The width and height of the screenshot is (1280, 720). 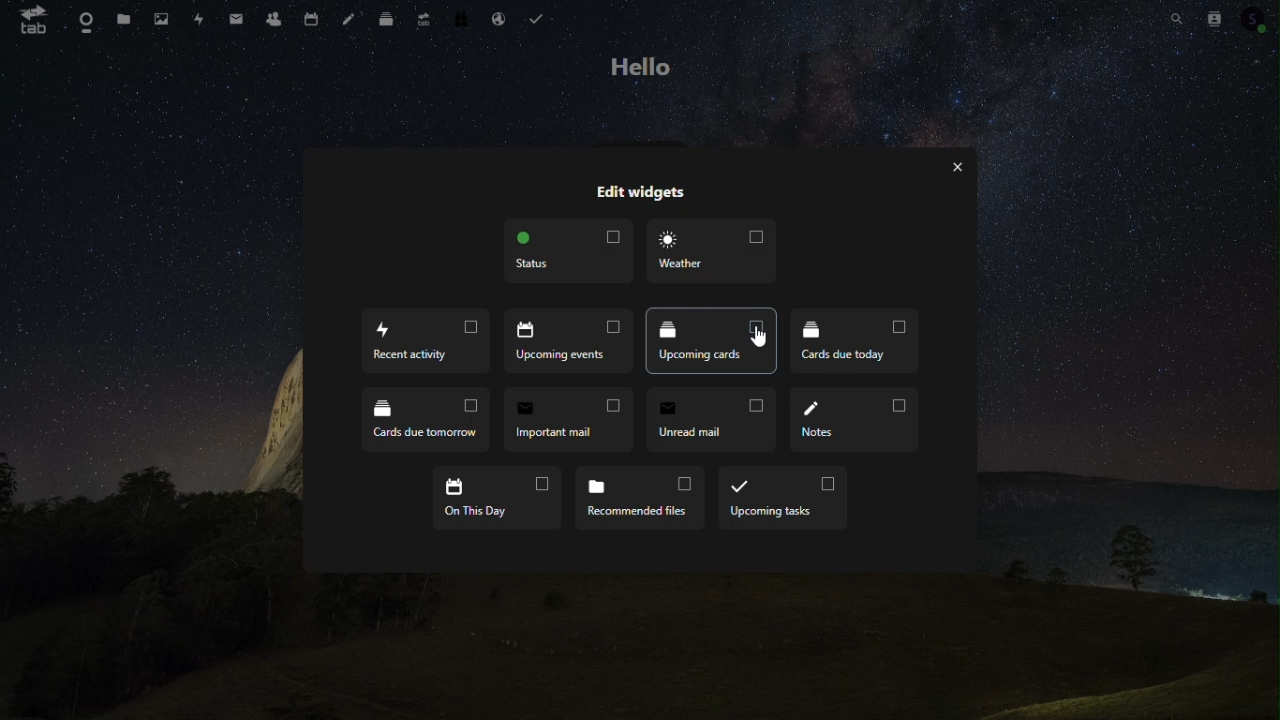 I want to click on Task , so click(x=534, y=15).